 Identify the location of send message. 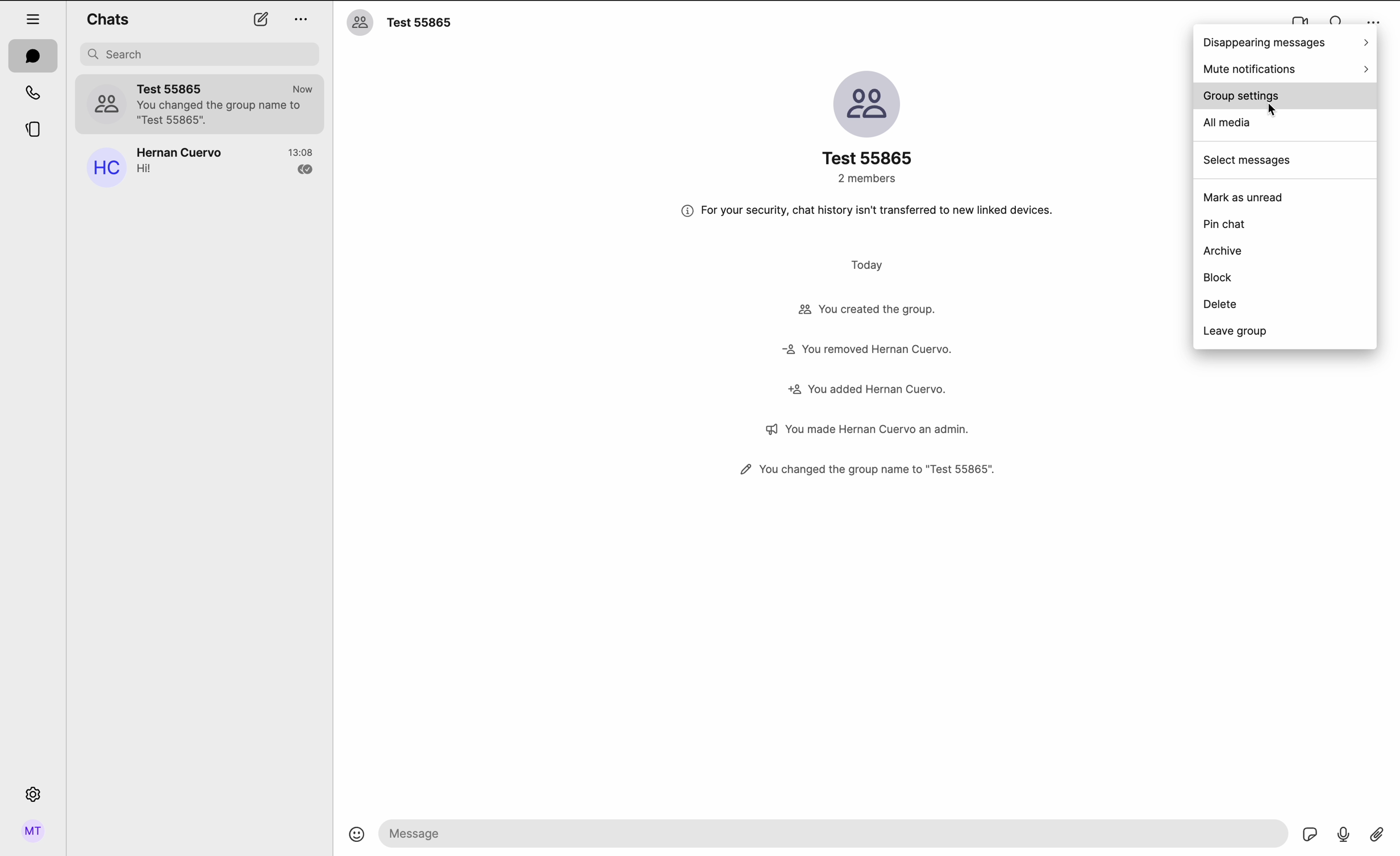
(831, 833).